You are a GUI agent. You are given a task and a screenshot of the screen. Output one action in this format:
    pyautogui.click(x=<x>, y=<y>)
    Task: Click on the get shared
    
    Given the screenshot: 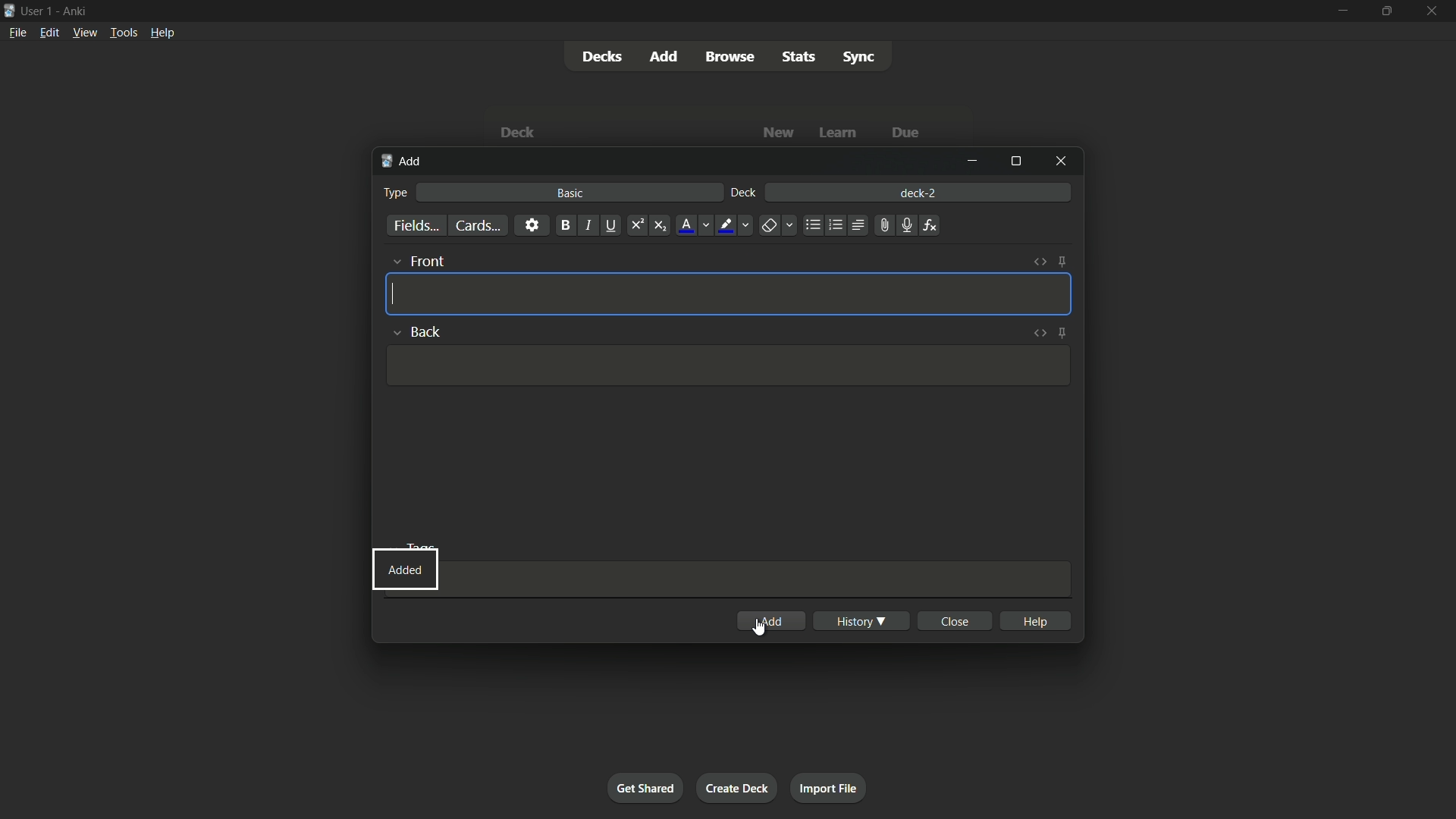 What is the action you would take?
    pyautogui.click(x=647, y=788)
    